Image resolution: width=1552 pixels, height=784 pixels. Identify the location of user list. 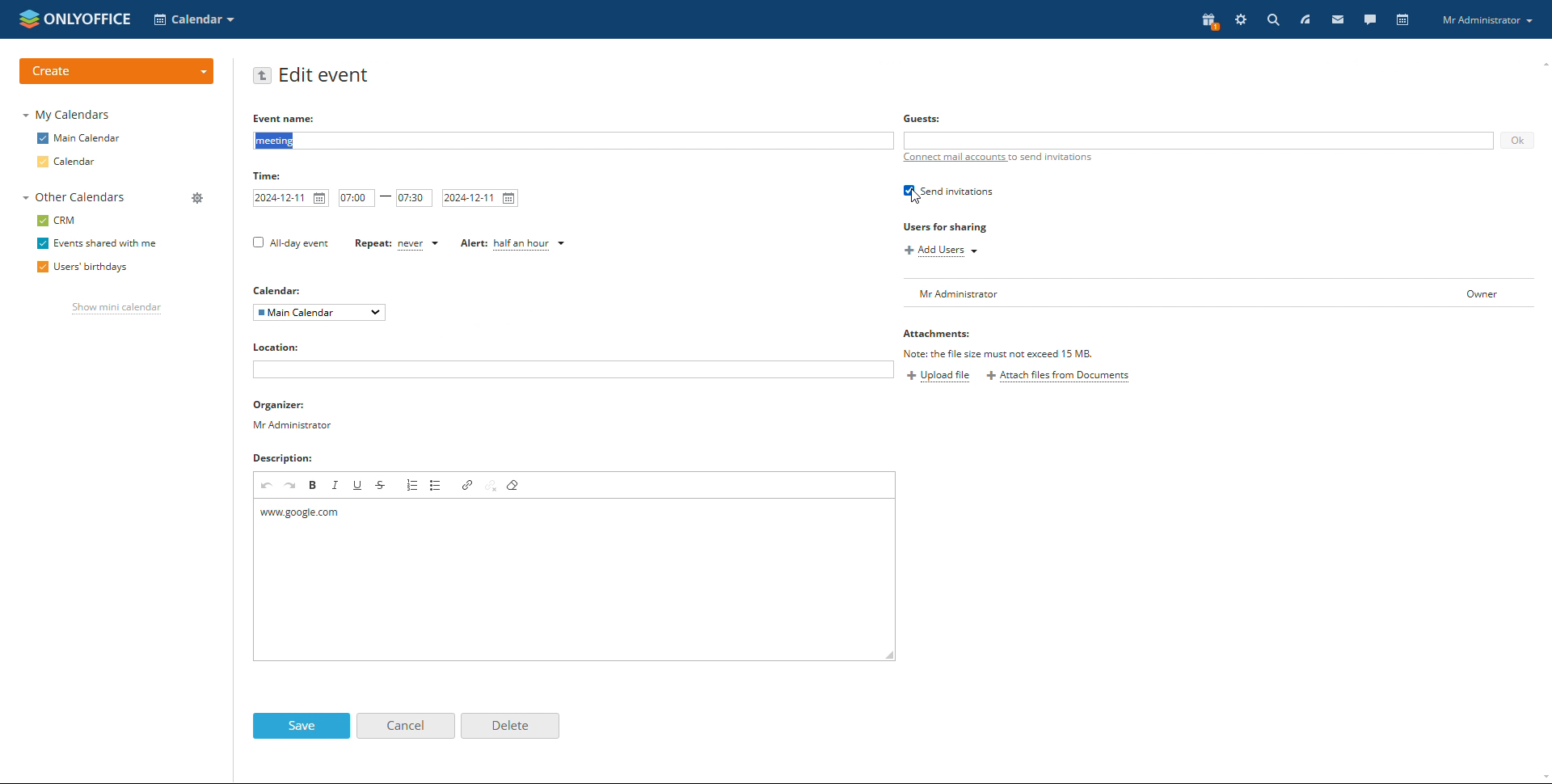
(1219, 293).